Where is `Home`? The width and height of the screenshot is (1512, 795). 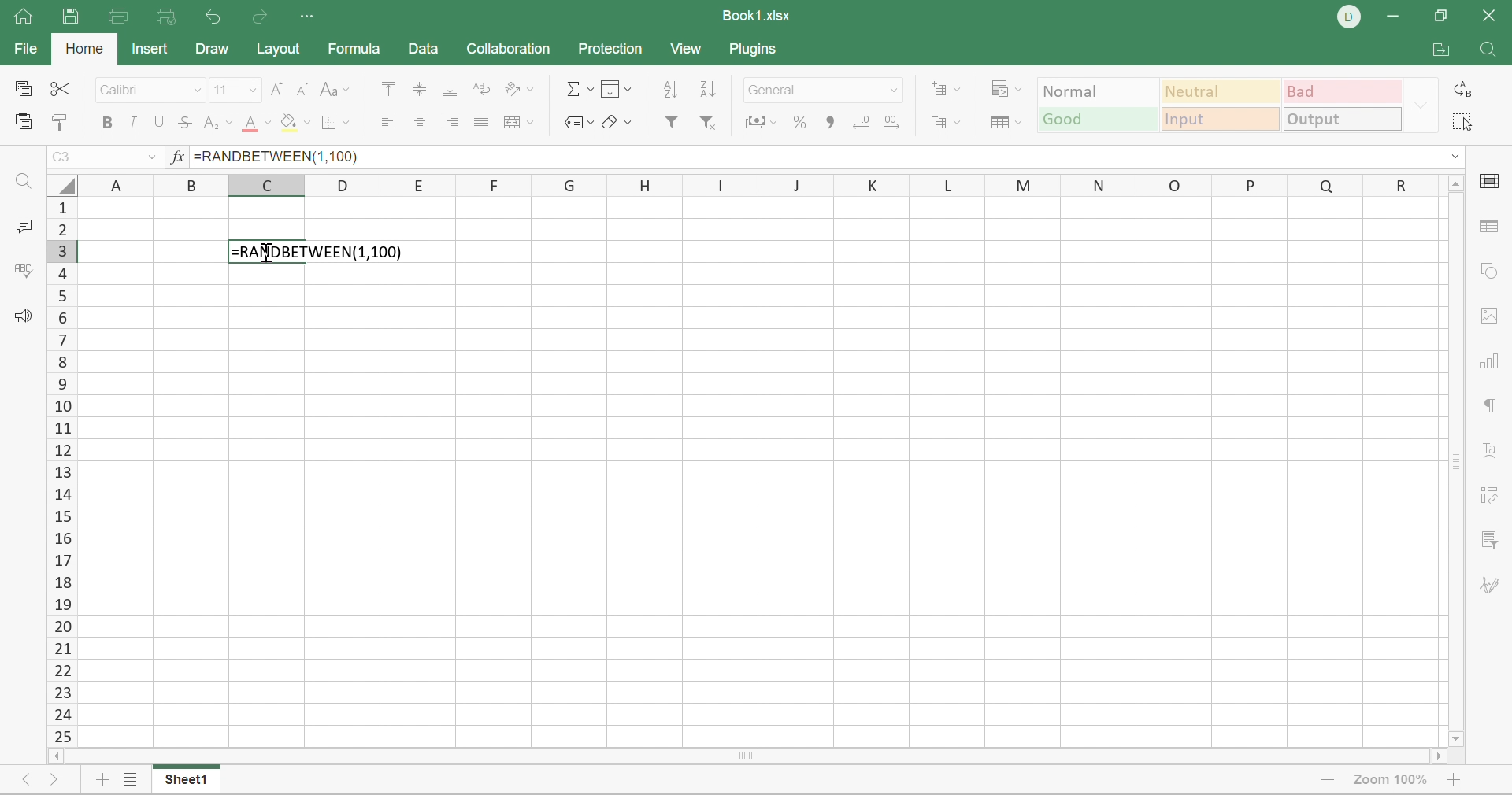
Home is located at coordinates (83, 48).